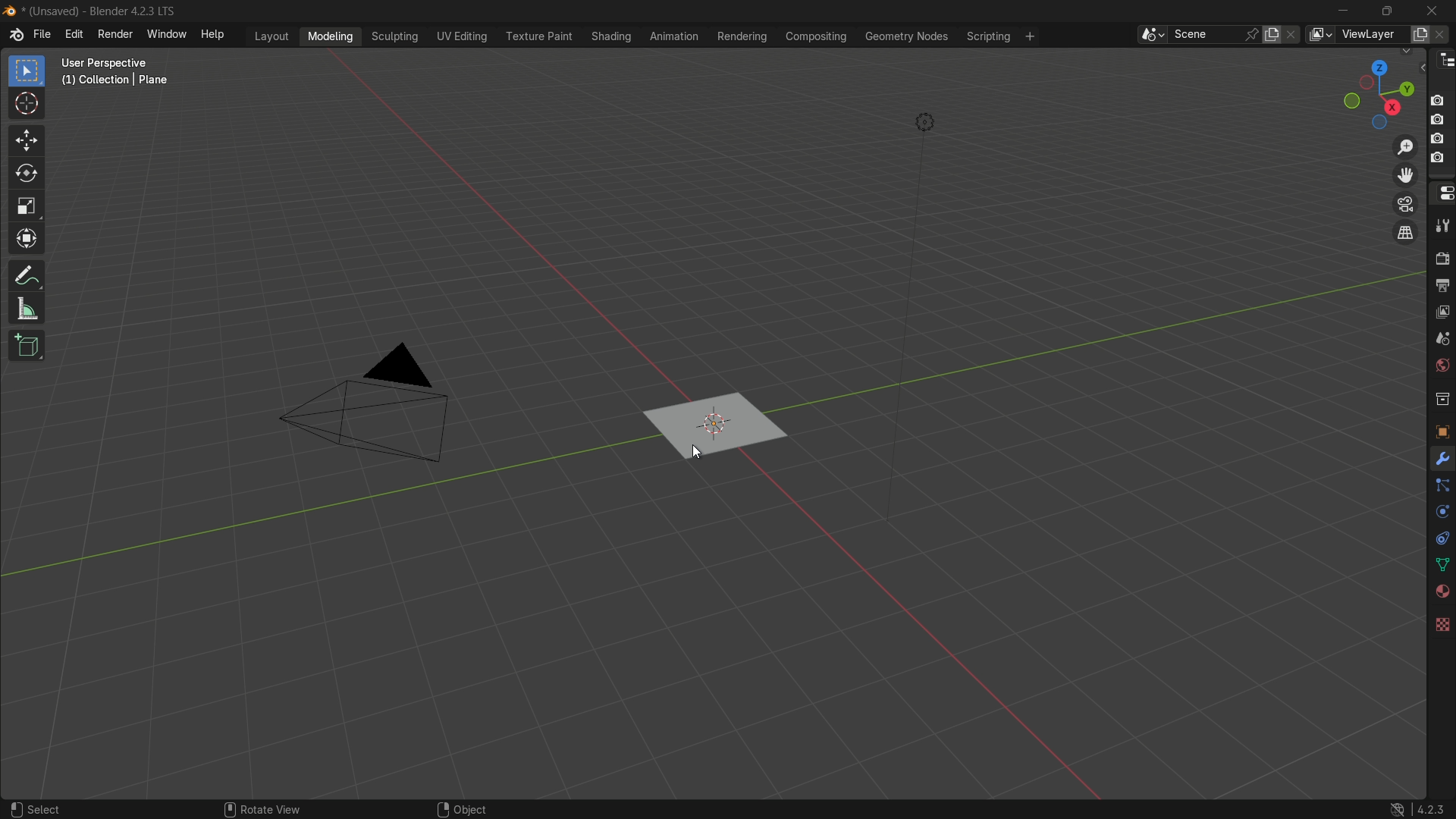 This screenshot has height=819, width=1456. What do you see at coordinates (1251, 36) in the screenshot?
I see `pin scene to workplace` at bounding box center [1251, 36].